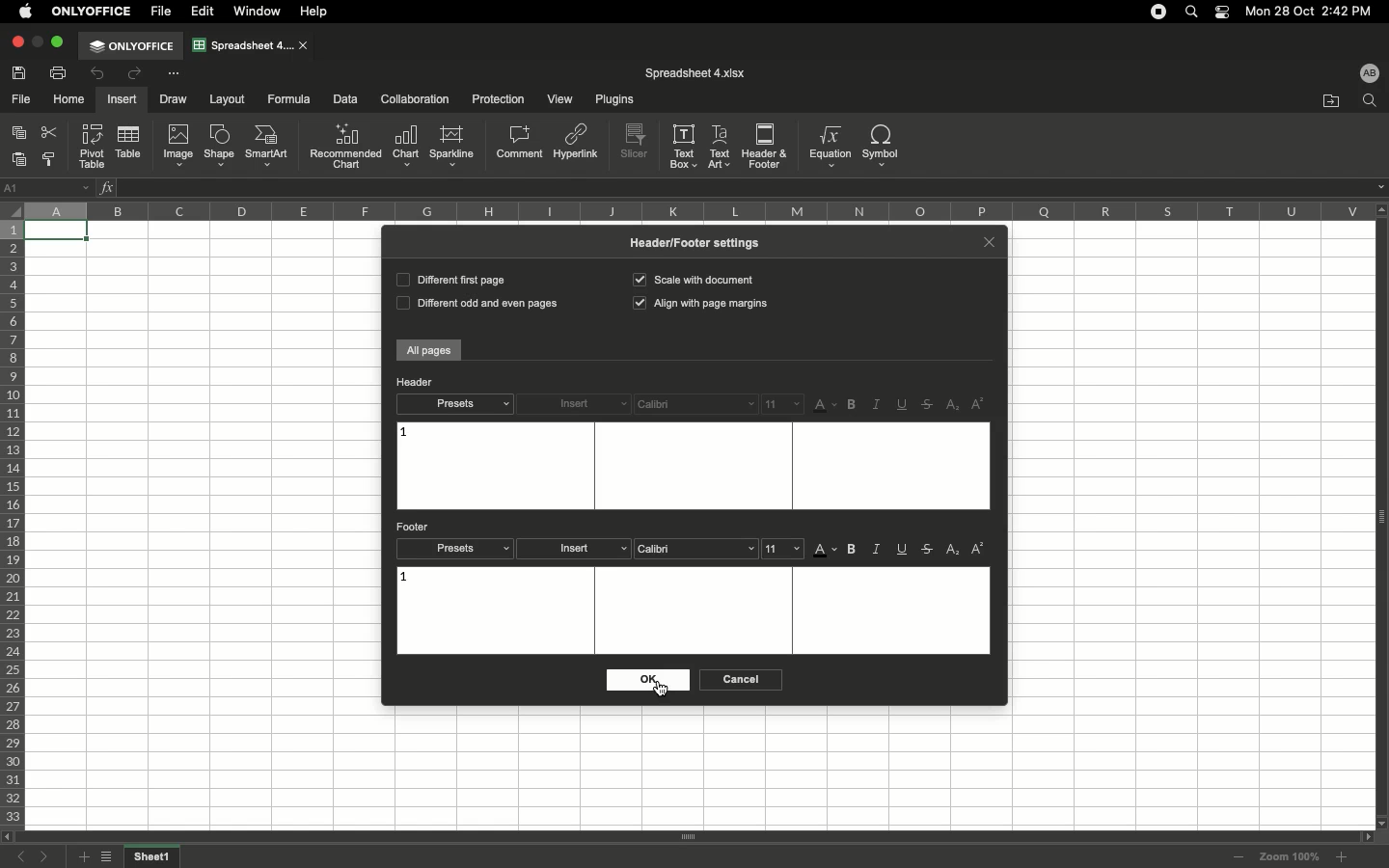  Describe the element at coordinates (163, 12) in the screenshot. I see `File` at that location.